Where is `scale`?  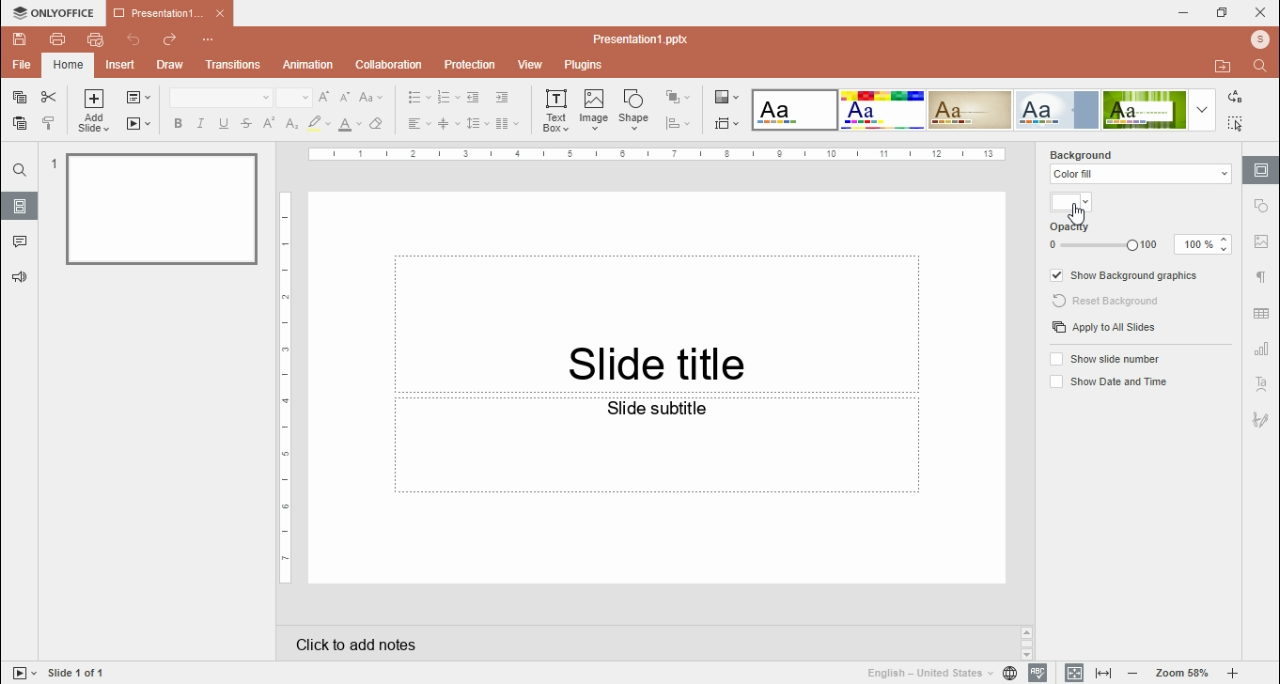
scale is located at coordinates (284, 389).